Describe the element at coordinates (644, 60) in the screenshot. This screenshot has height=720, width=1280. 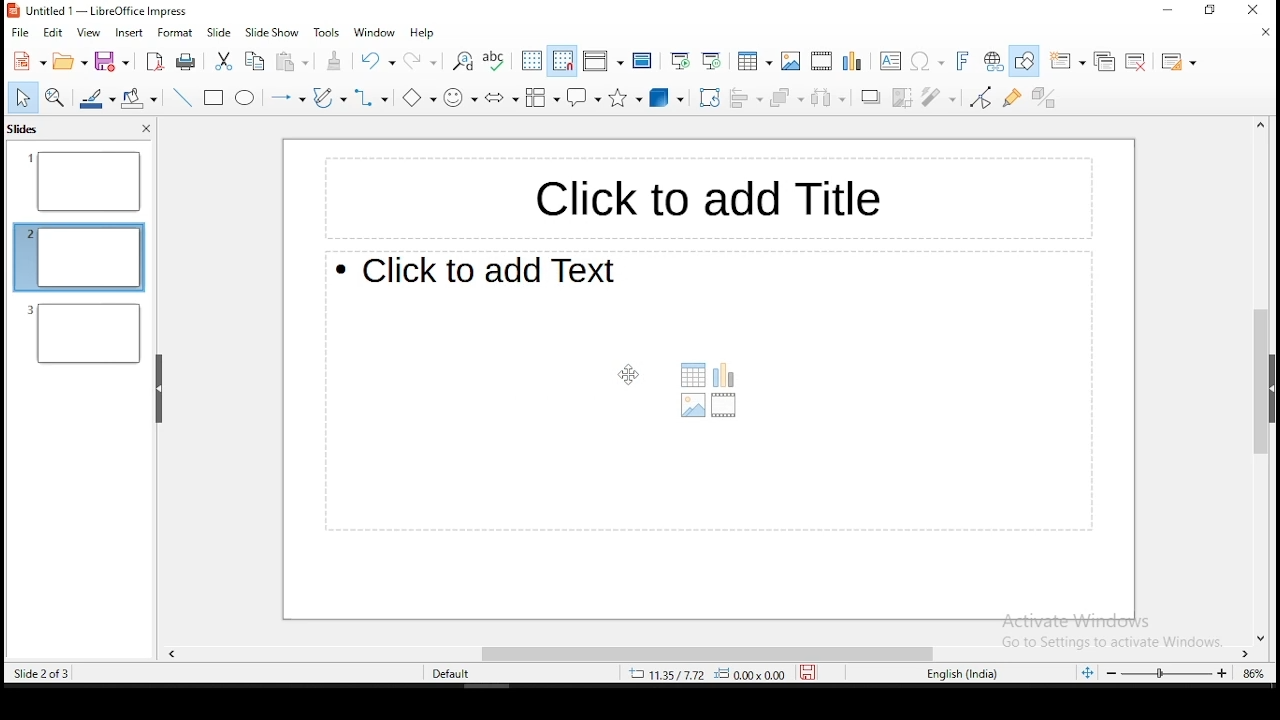
I see `master slide` at that location.